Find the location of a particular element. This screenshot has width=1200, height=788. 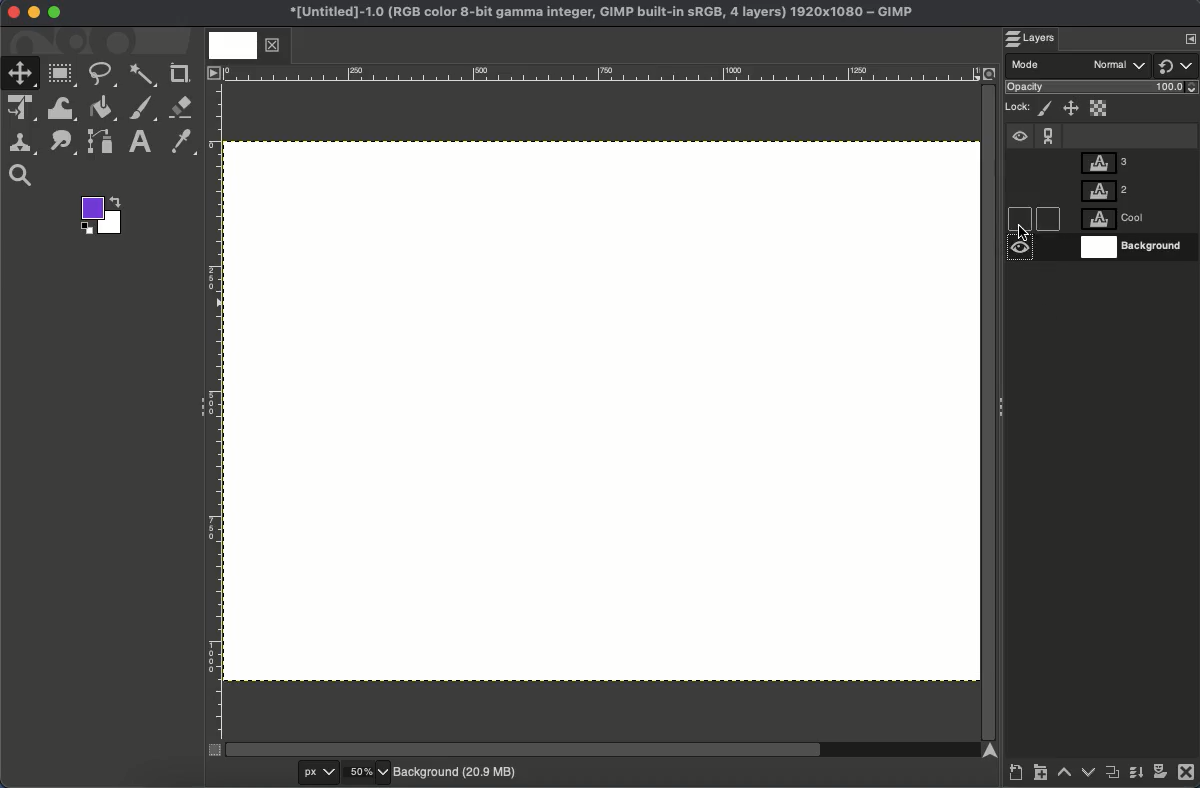

Minimize is located at coordinates (34, 12).